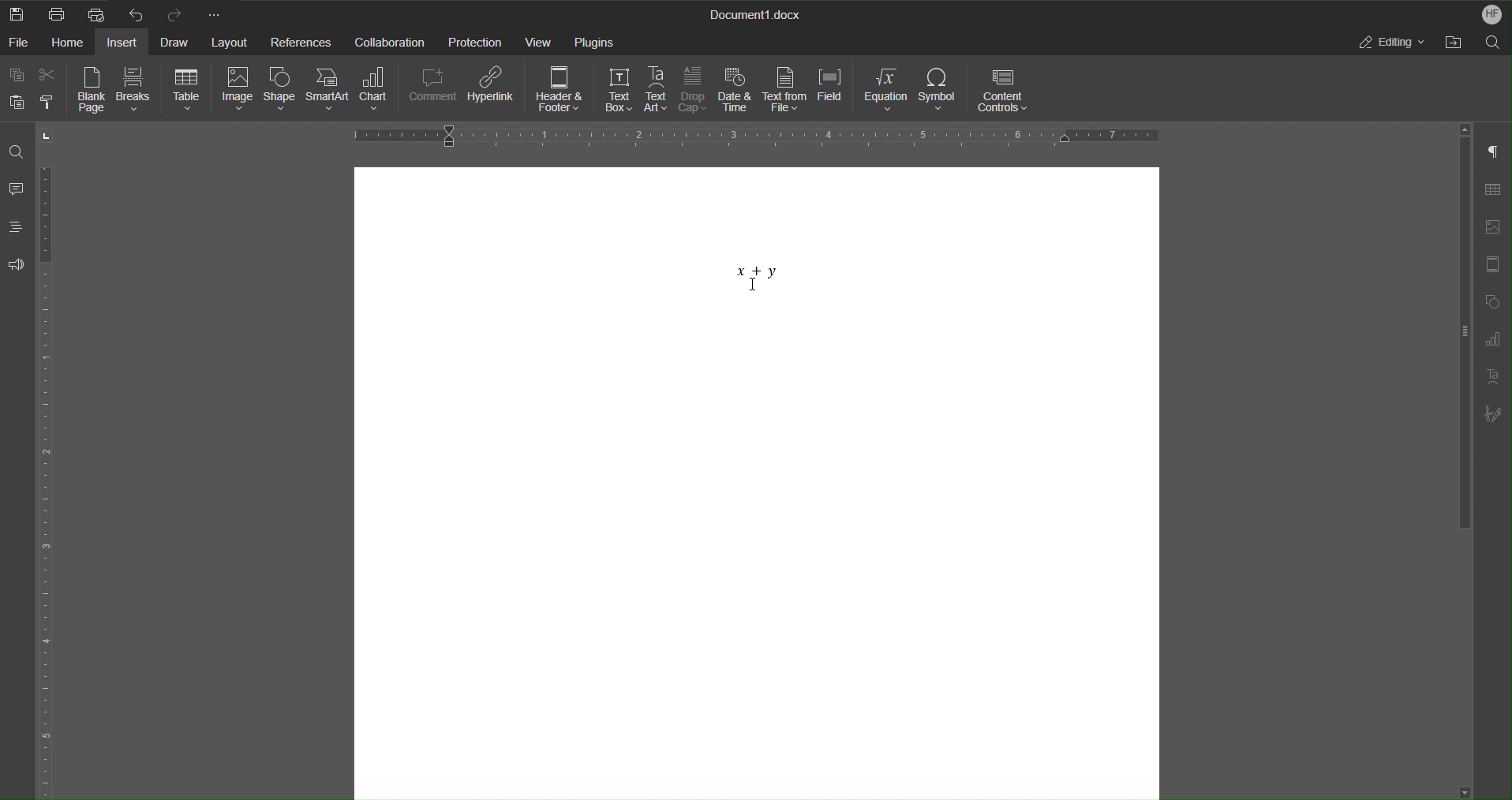 The image size is (1512, 800). I want to click on Text Art, so click(1491, 375).